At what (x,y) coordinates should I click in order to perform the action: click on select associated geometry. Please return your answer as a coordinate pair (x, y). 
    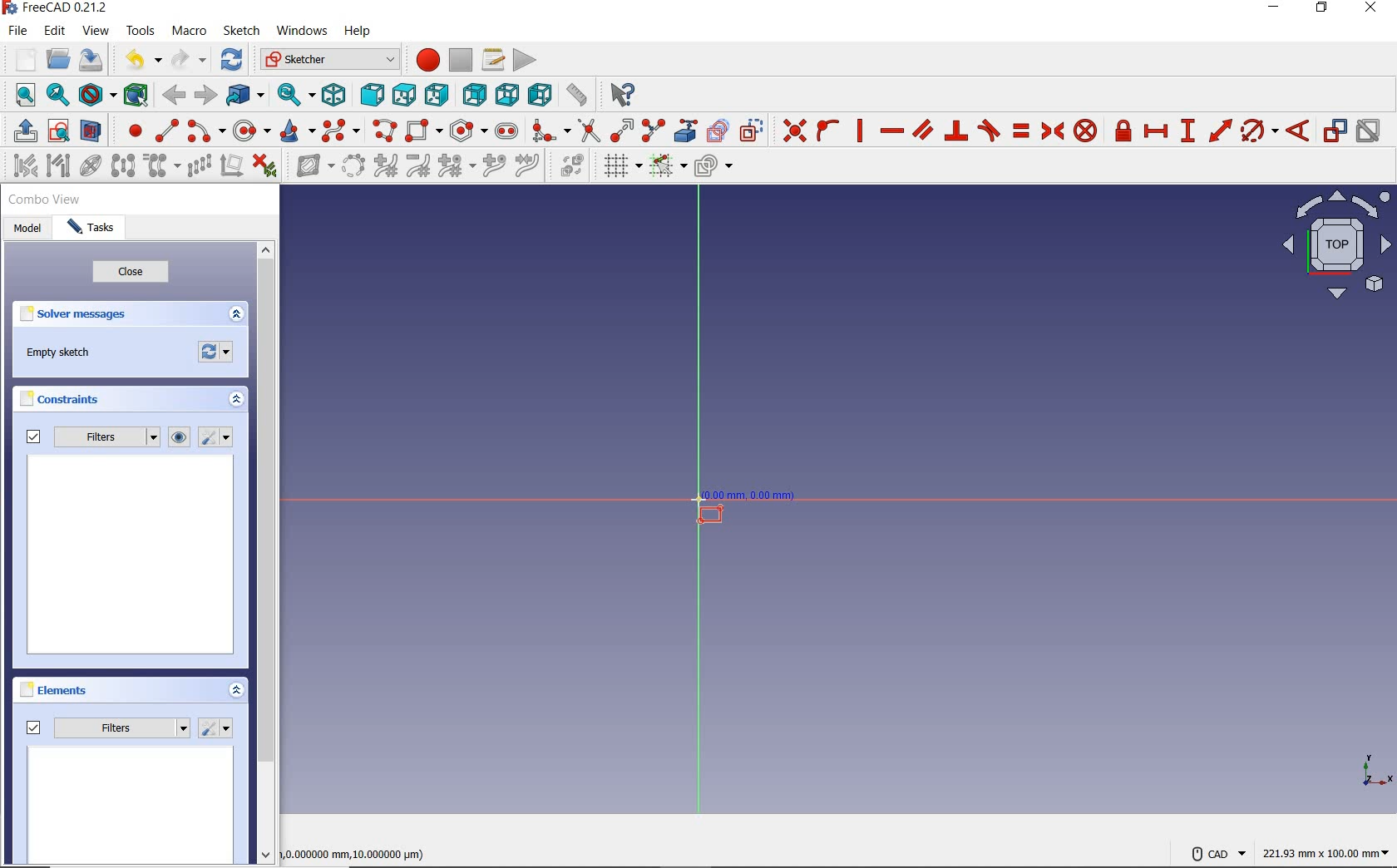
    Looking at the image, I should click on (57, 166).